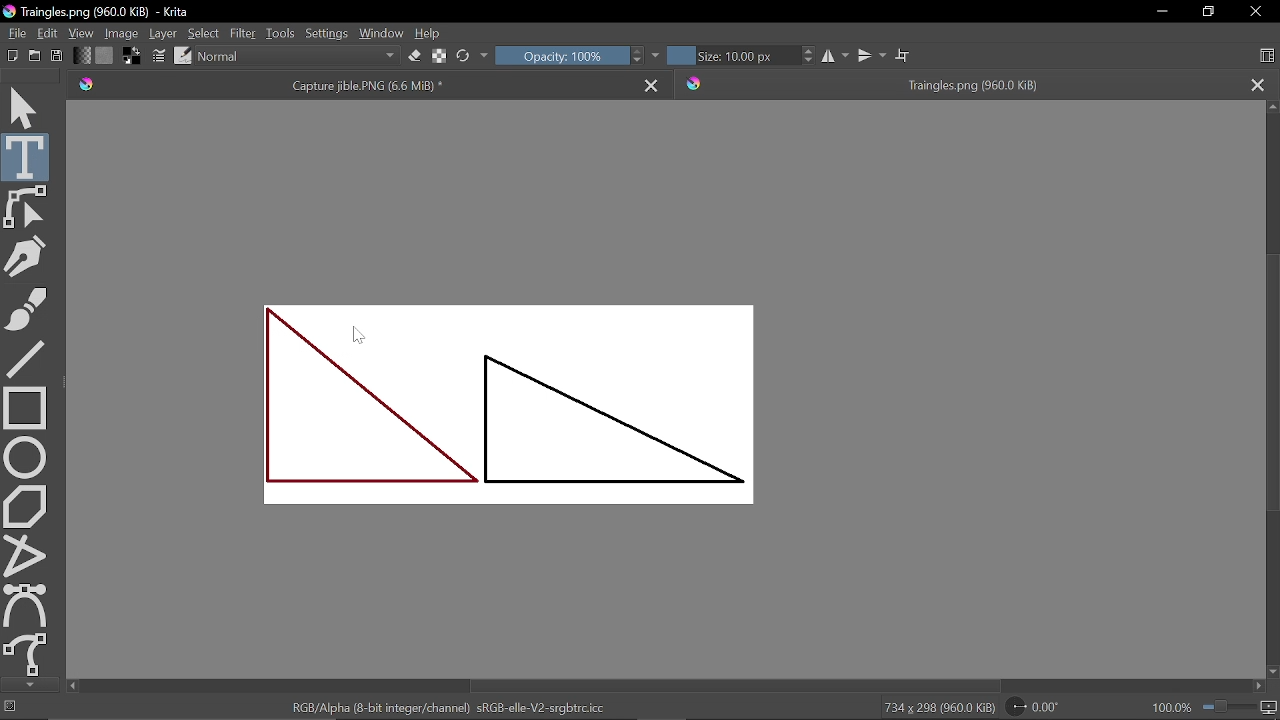 This screenshot has height=720, width=1280. I want to click on Move down in tools, so click(27, 685).